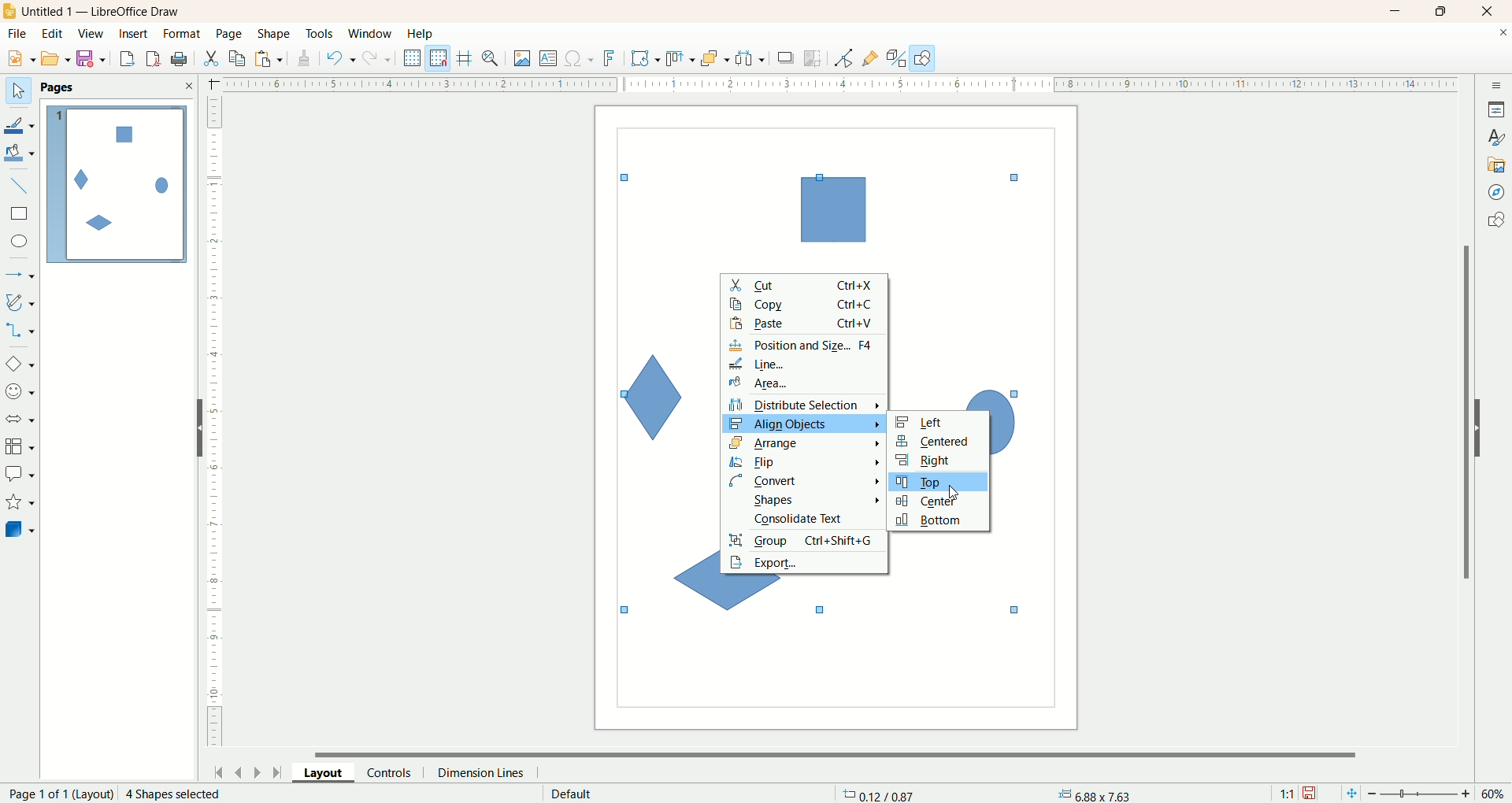 The image size is (1512, 803). What do you see at coordinates (20, 34) in the screenshot?
I see `file` at bounding box center [20, 34].